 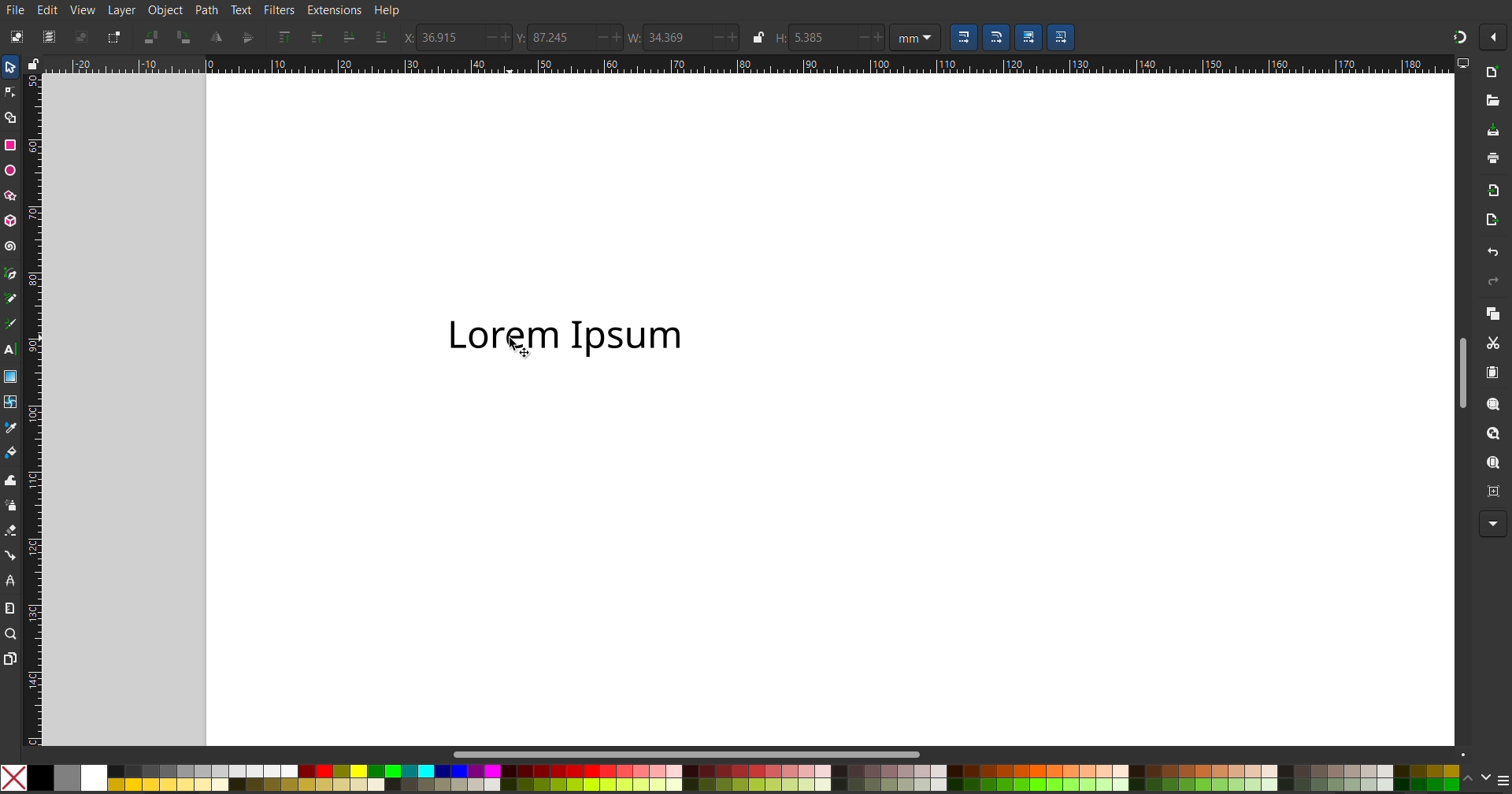 I want to click on Rotate CW, so click(x=187, y=39).